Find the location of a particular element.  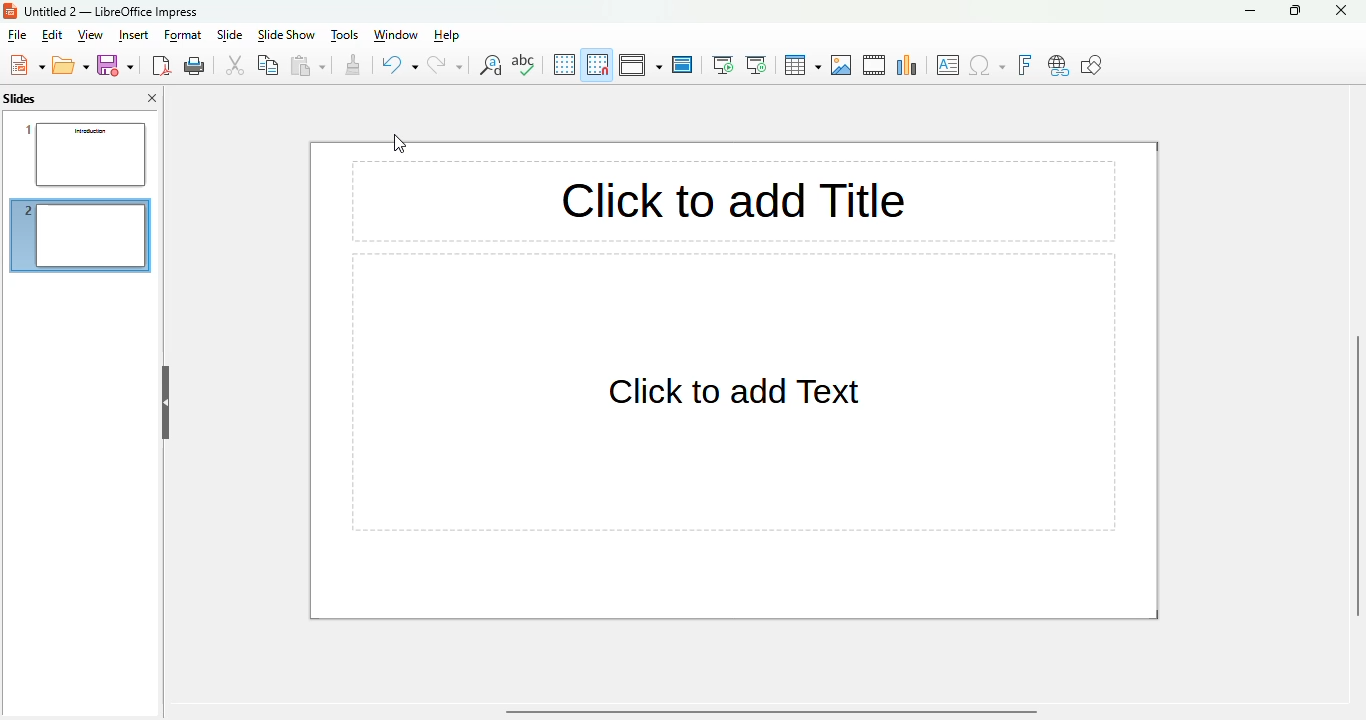

start from current slide is located at coordinates (756, 65).